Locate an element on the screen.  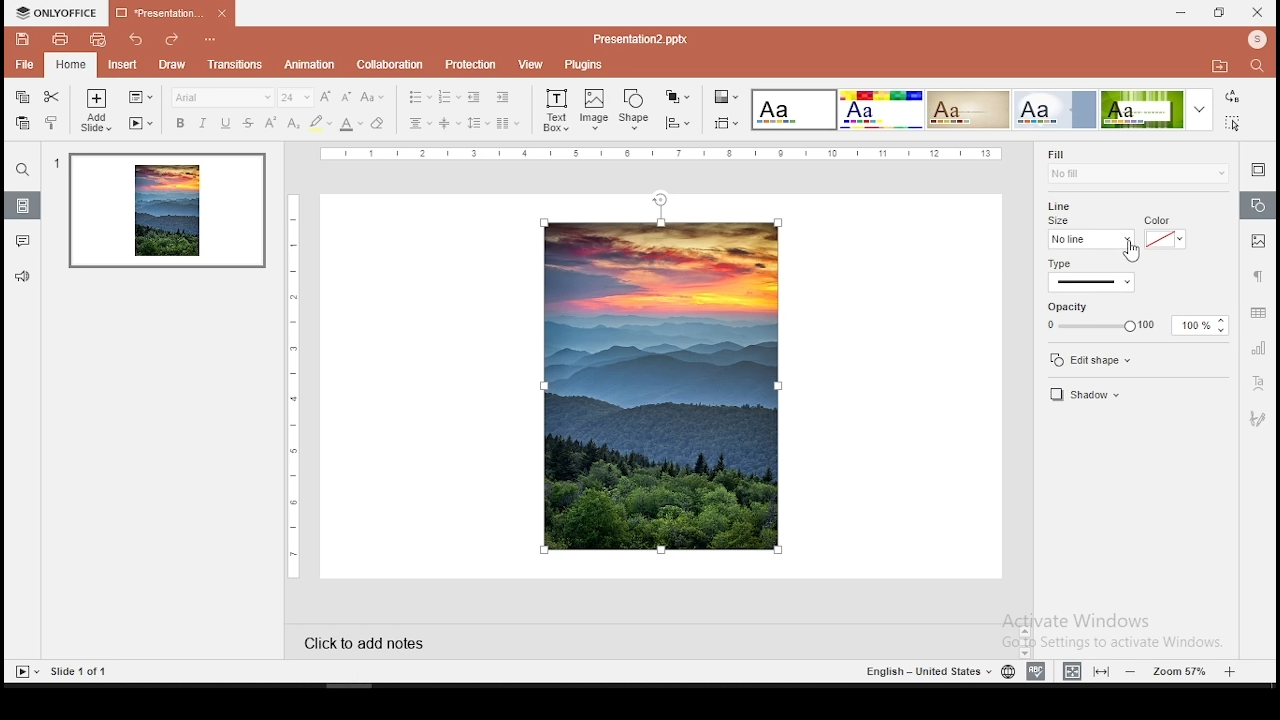
increase font size is located at coordinates (326, 96).